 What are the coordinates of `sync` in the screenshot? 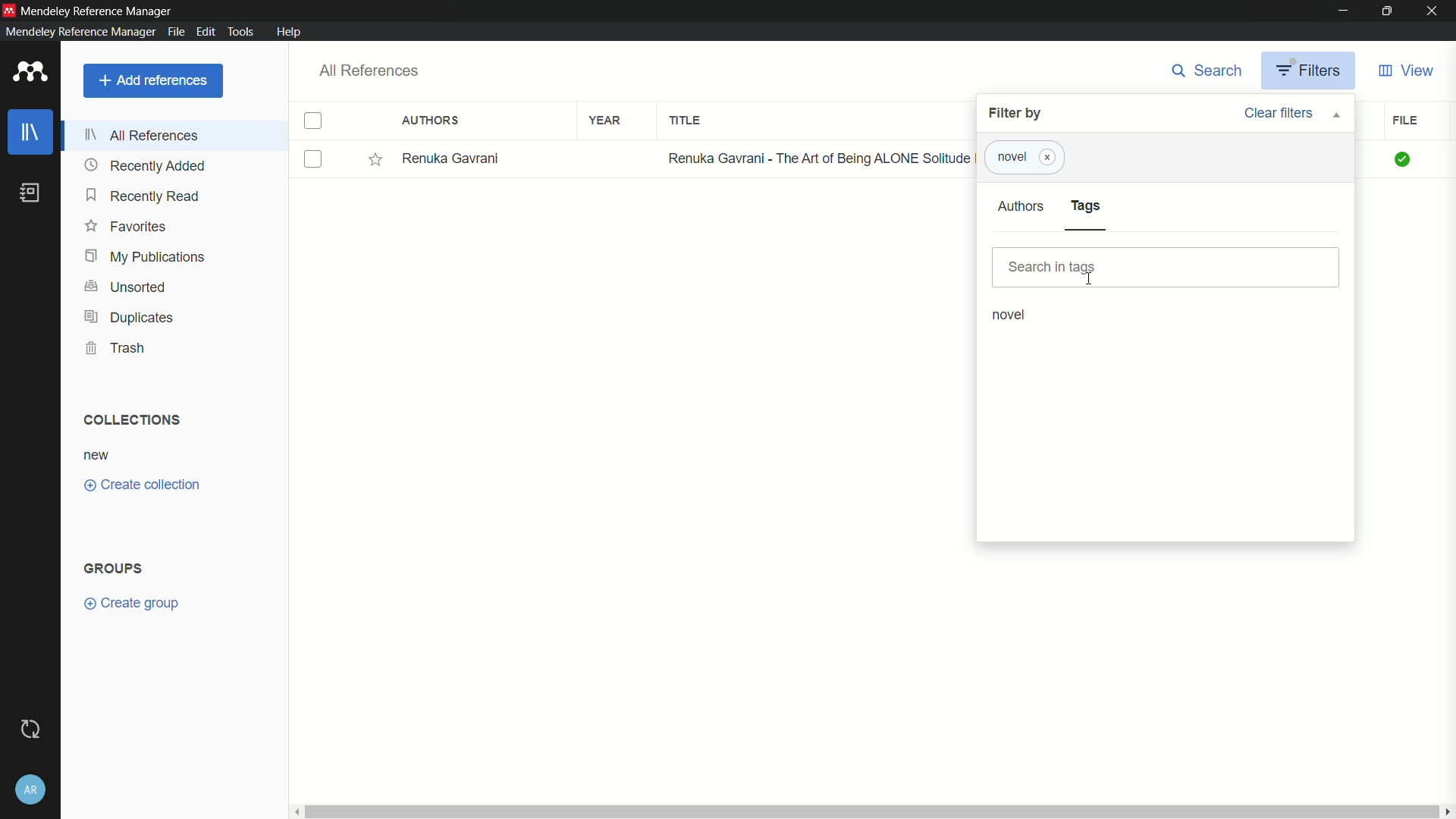 It's located at (29, 729).